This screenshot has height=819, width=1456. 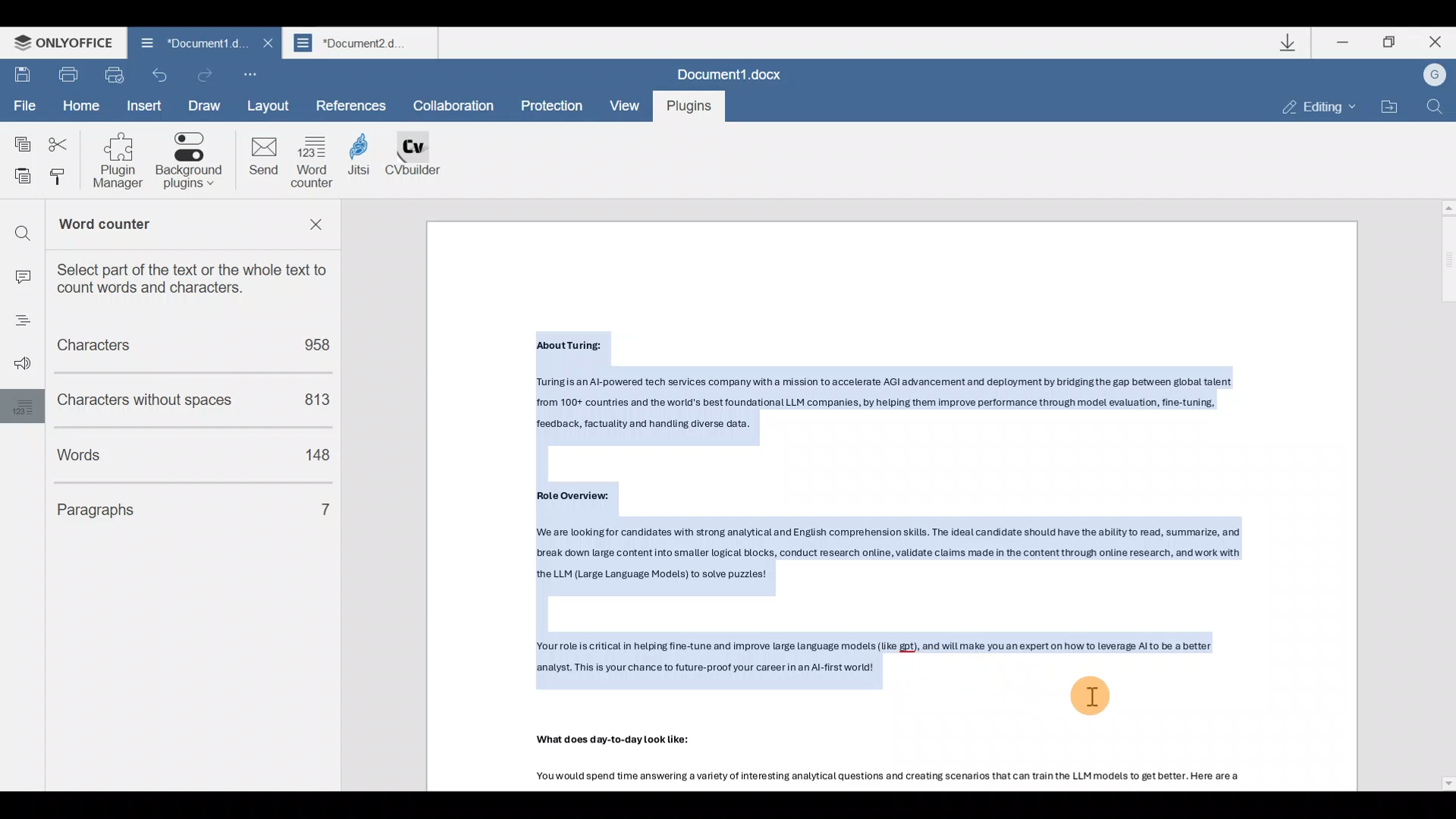 What do you see at coordinates (22, 76) in the screenshot?
I see `Save` at bounding box center [22, 76].